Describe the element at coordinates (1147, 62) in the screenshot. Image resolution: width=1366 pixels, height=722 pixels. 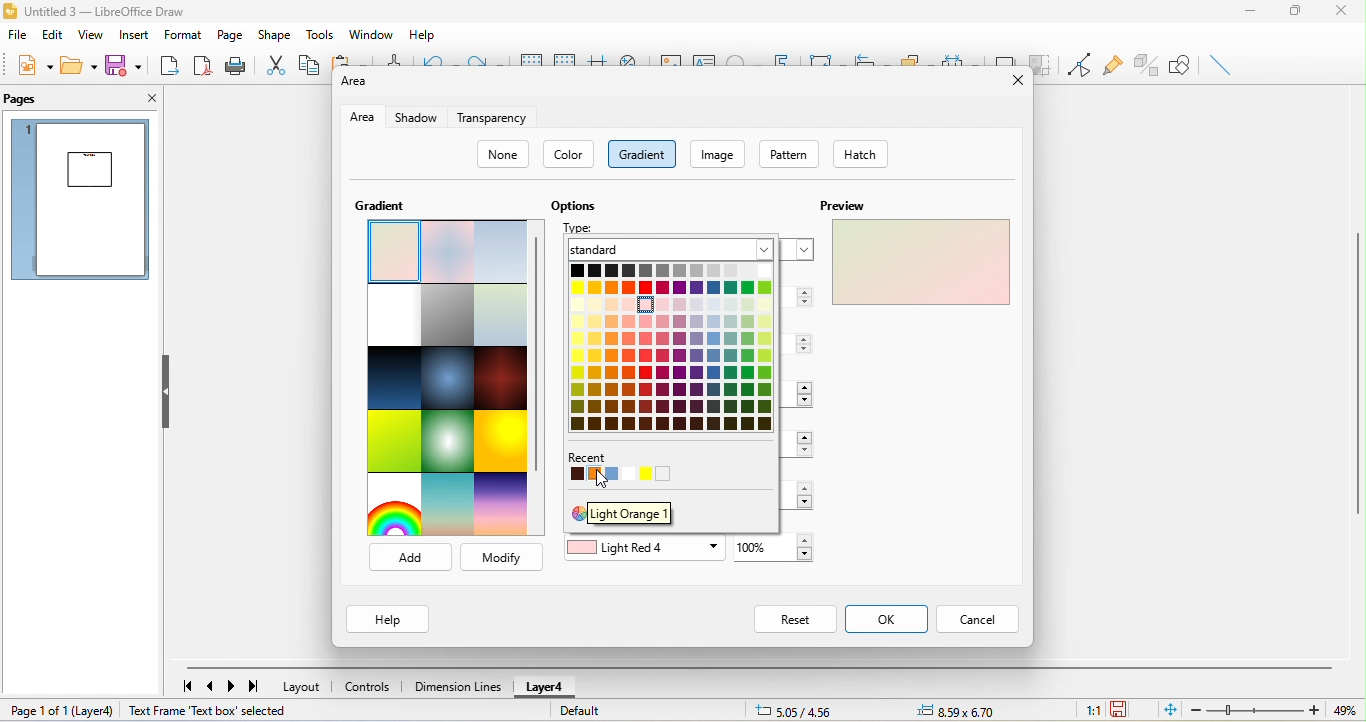
I see `toggle extrusion` at that location.